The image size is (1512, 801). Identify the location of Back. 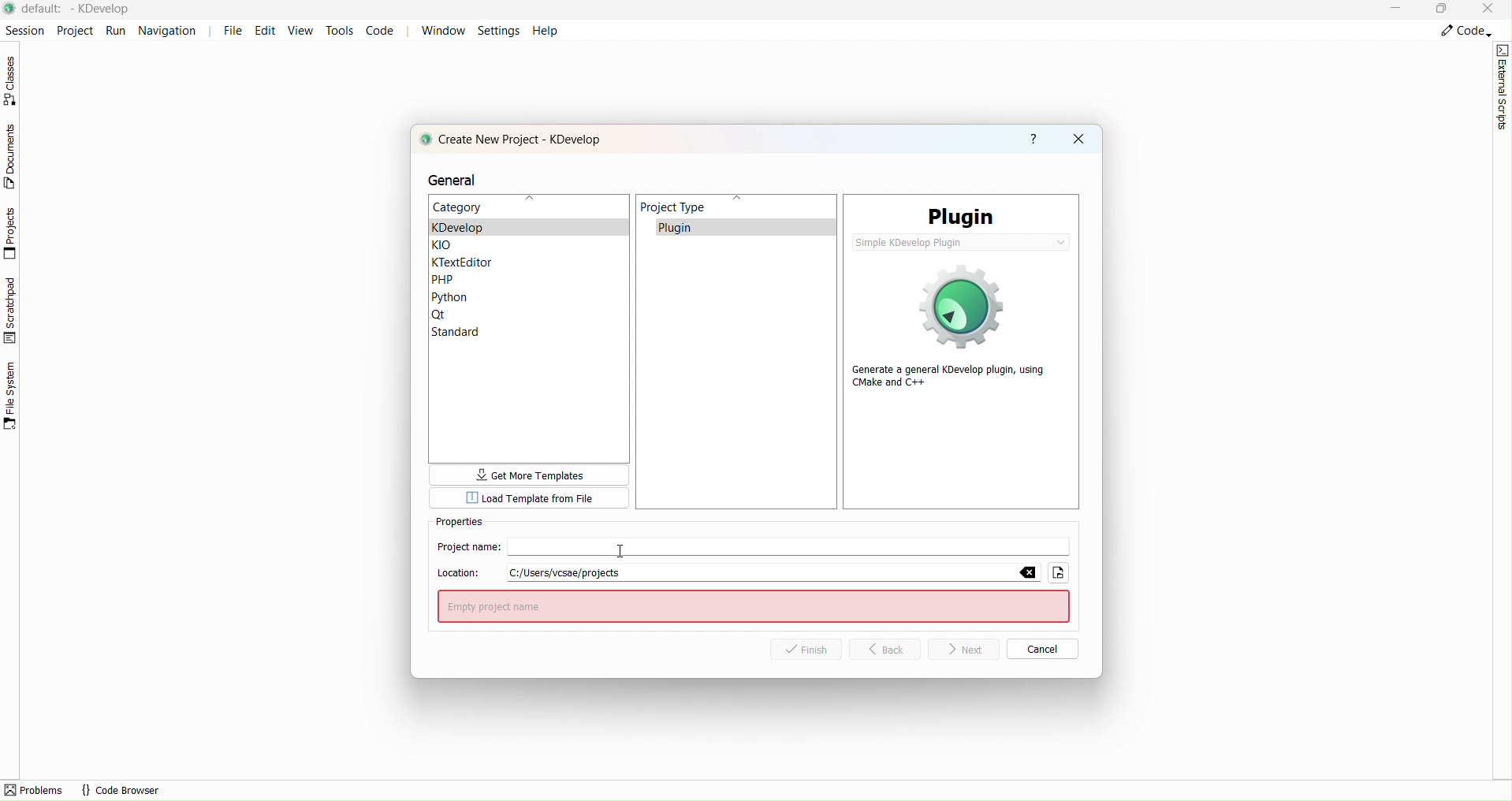
(891, 648).